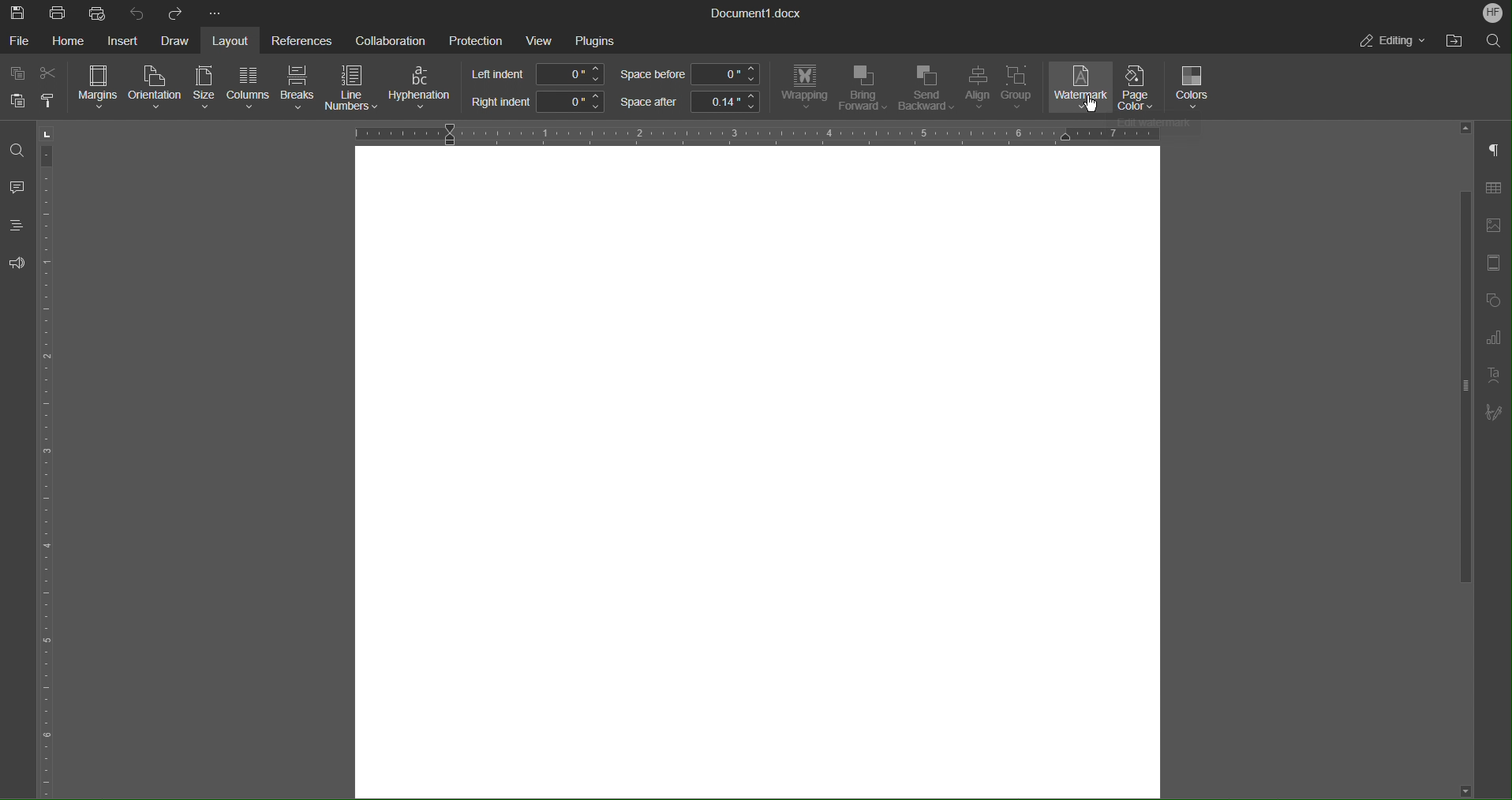 The width and height of the screenshot is (1512, 800). Describe the element at coordinates (541, 40) in the screenshot. I see `View` at that location.